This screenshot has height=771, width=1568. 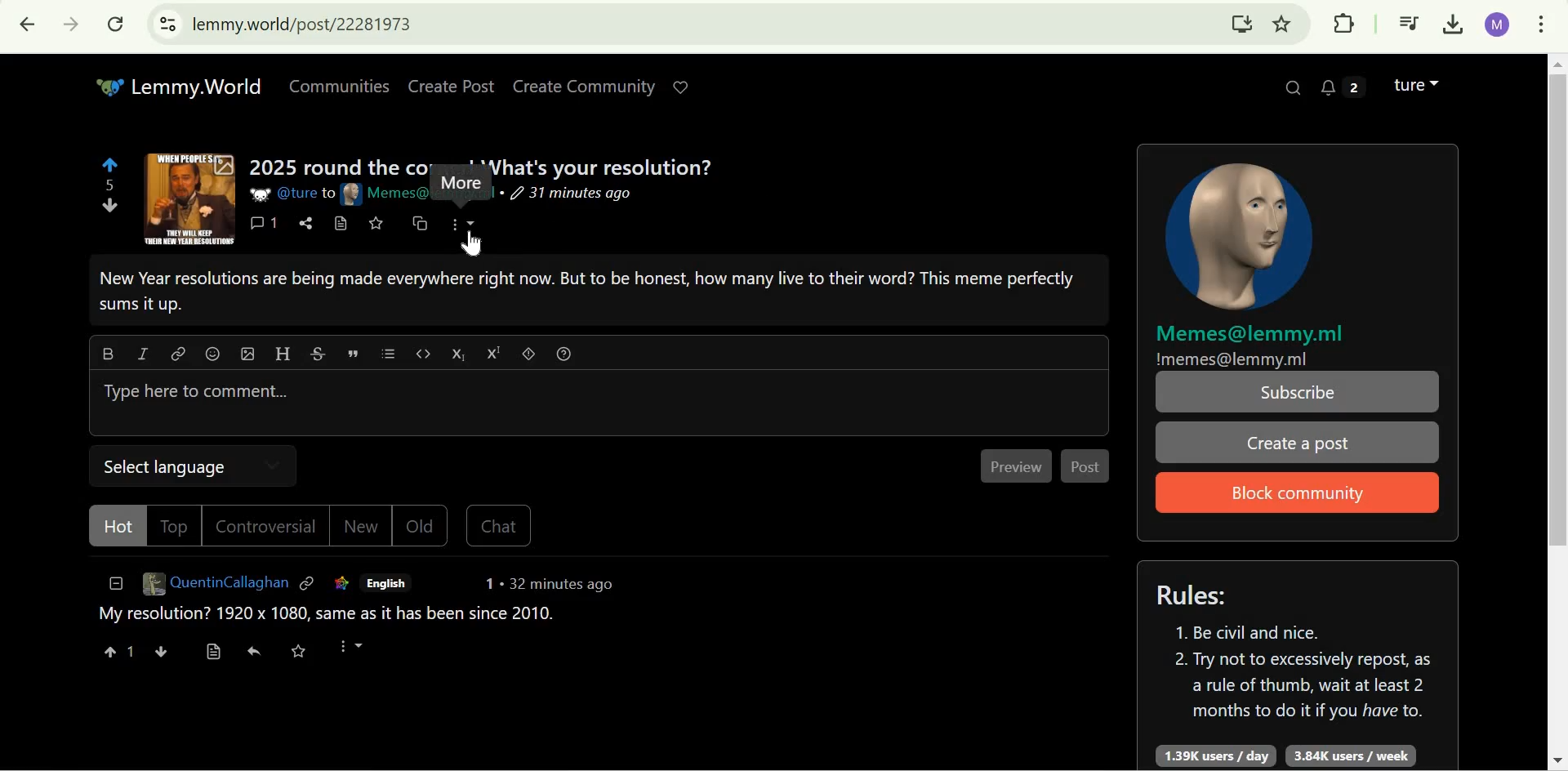 I want to click on list, so click(x=388, y=352).